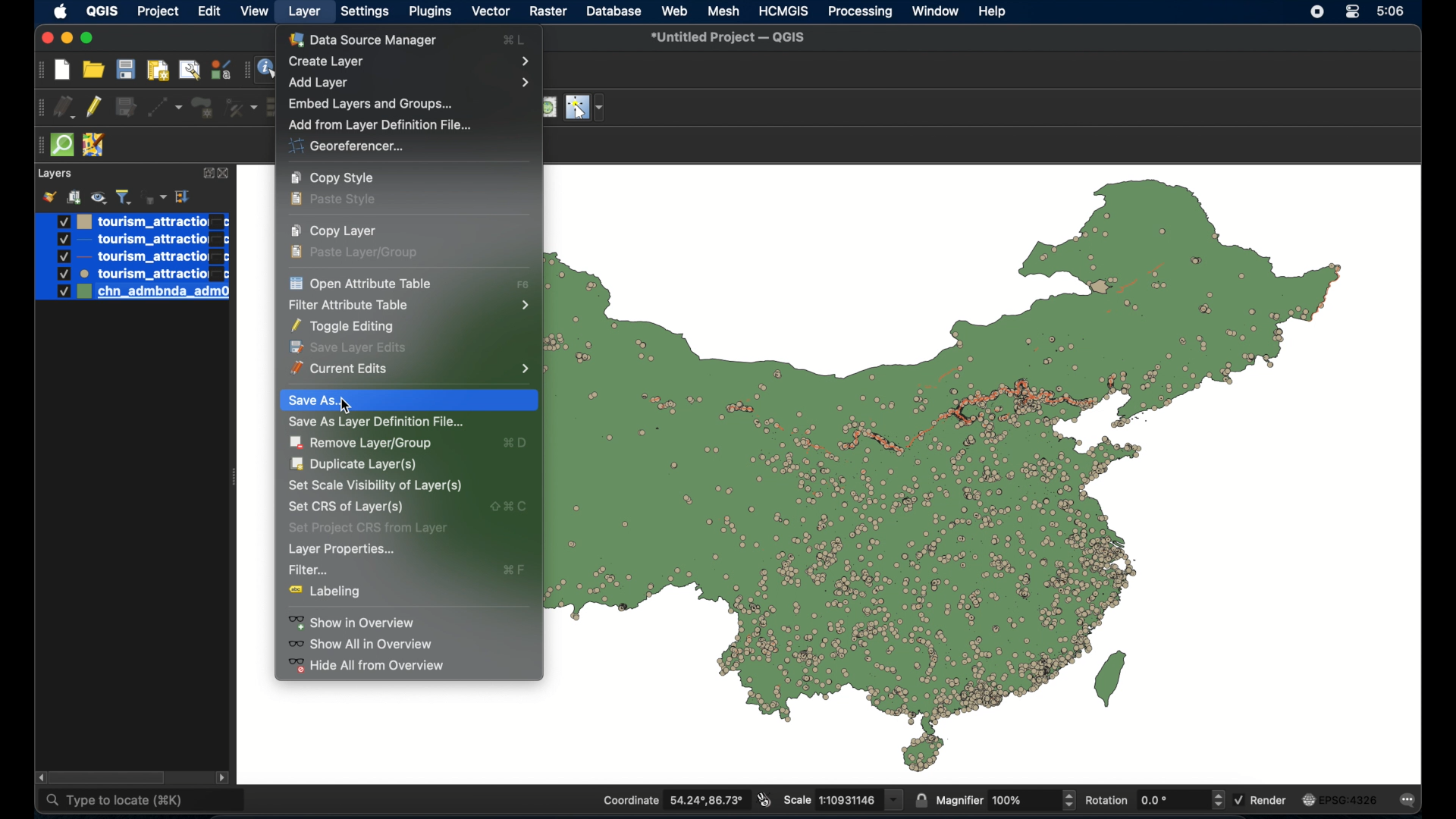 The width and height of the screenshot is (1456, 819). Describe the element at coordinates (245, 70) in the screenshot. I see `drag handle` at that location.